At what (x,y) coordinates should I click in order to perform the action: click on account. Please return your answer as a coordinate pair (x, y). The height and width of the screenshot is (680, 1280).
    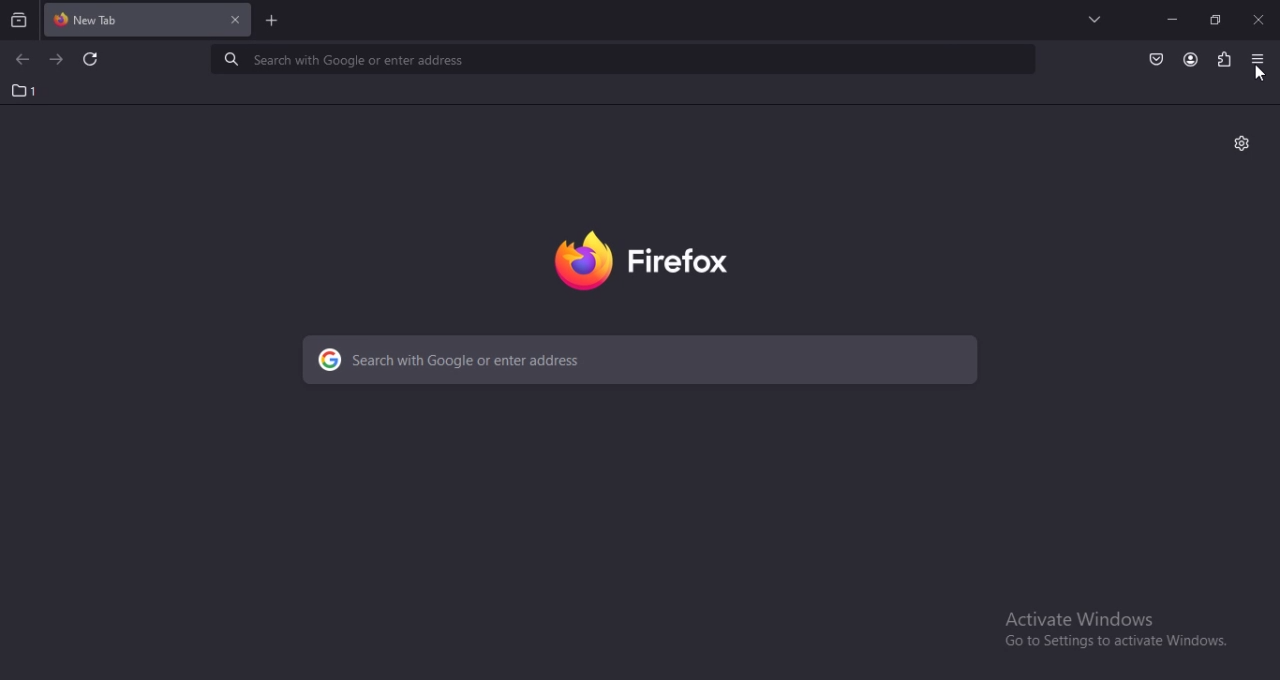
    Looking at the image, I should click on (1188, 59).